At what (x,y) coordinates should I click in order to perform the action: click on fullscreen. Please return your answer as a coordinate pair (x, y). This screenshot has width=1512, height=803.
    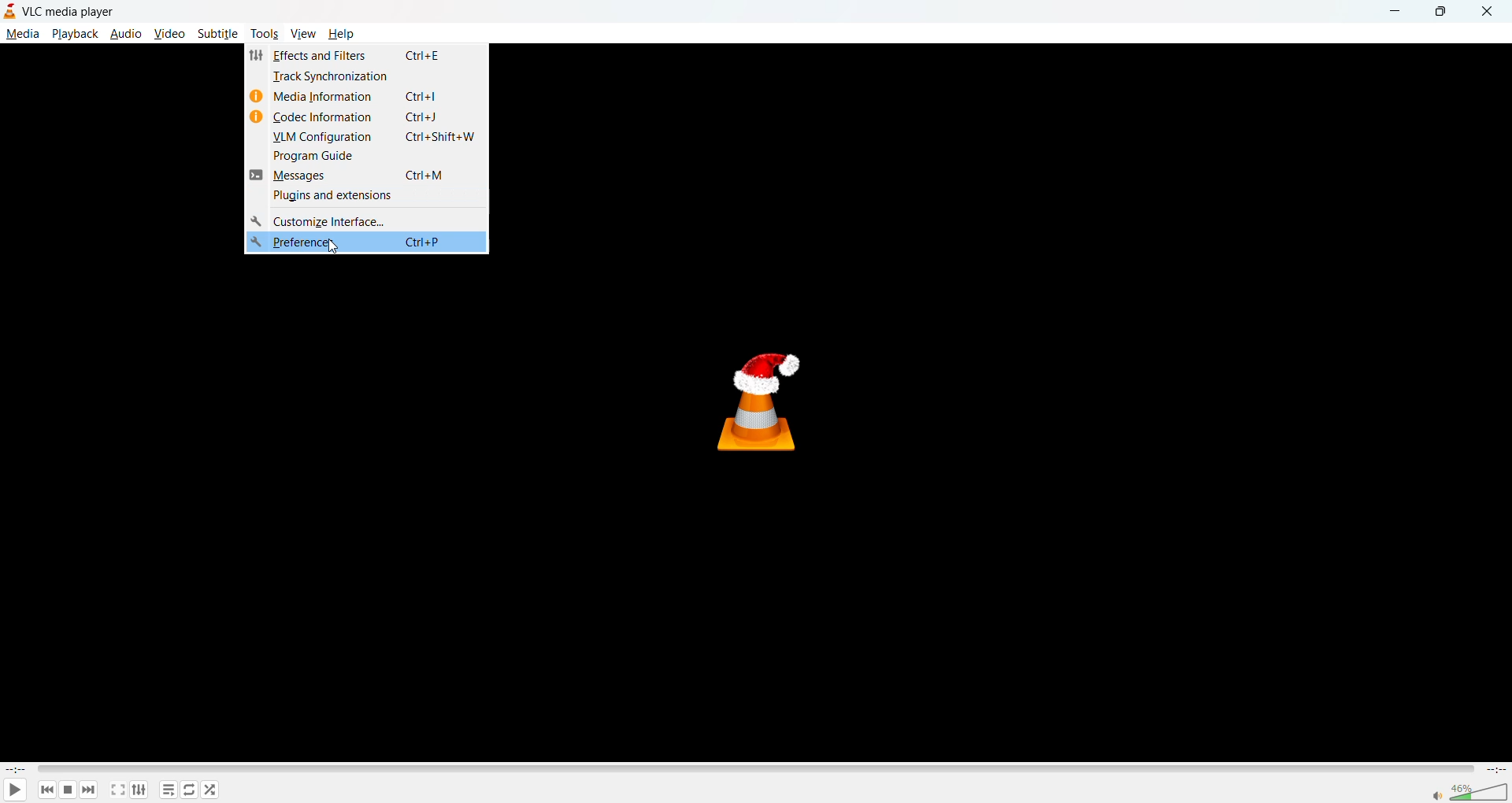
    Looking at the image, I should click on (117, 789).